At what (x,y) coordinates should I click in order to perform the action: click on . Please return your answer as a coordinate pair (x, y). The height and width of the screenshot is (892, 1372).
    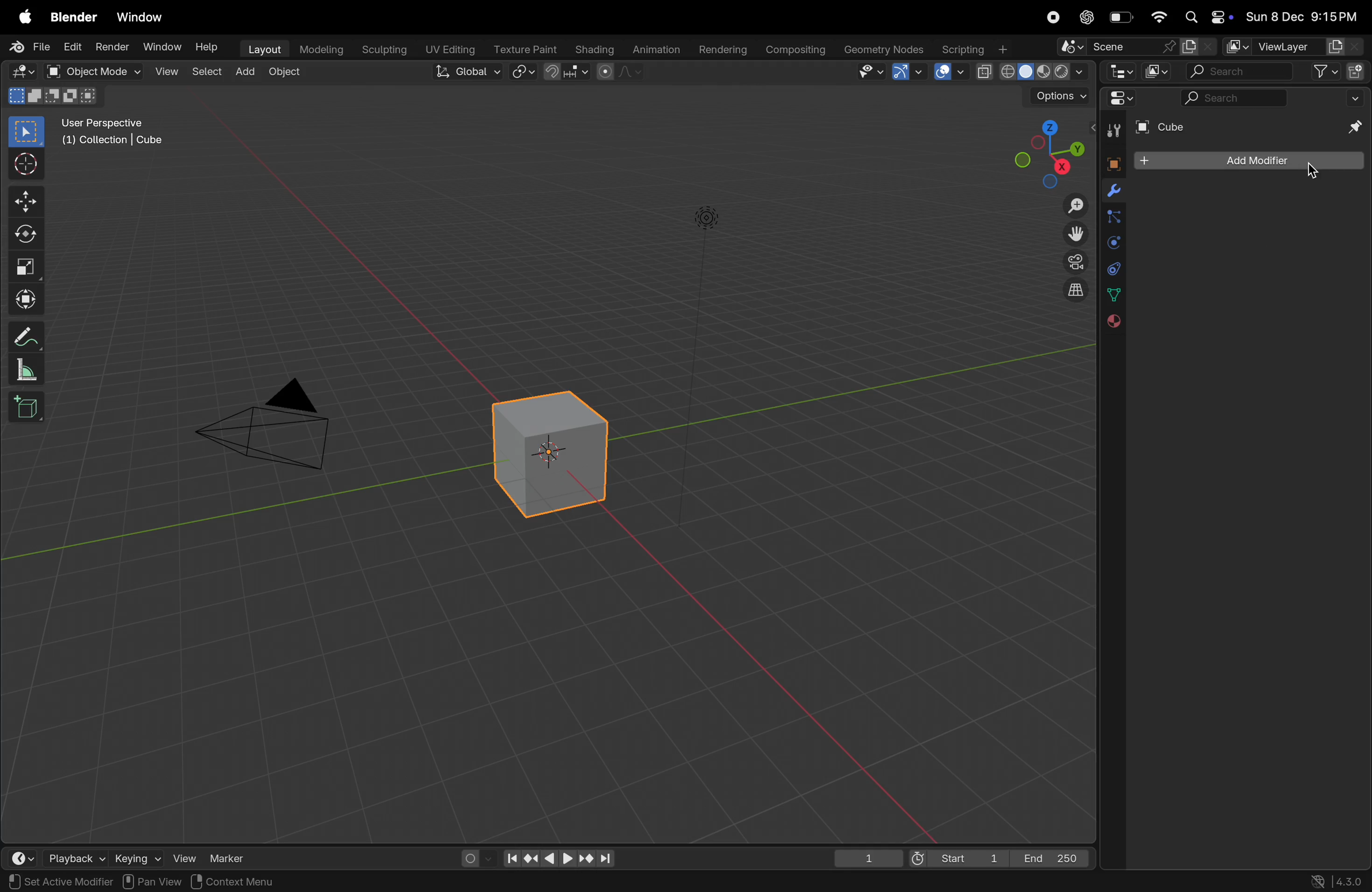
    Looking at the image, I should click on (567, 74).